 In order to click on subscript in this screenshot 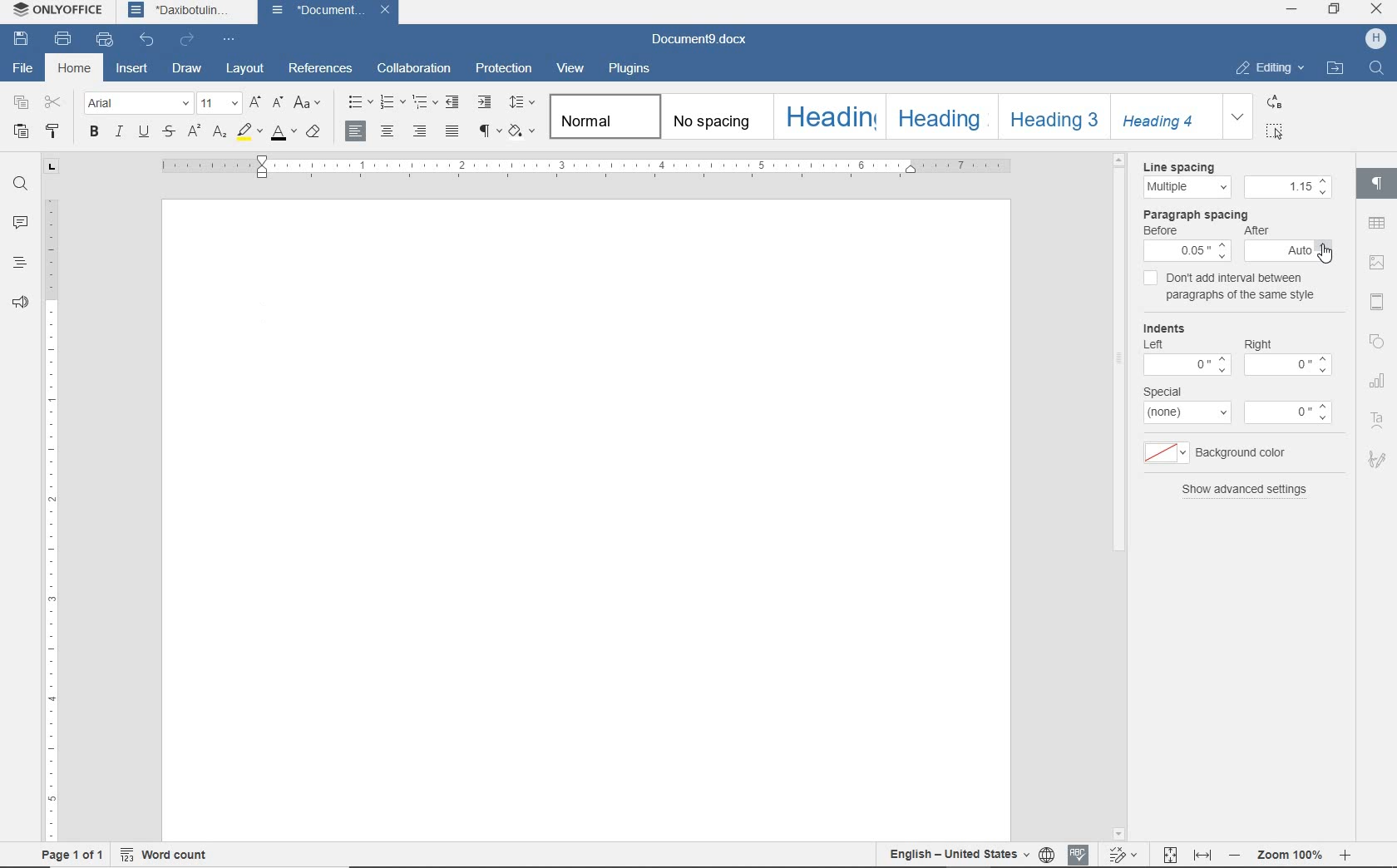, I will do `click(220, 134)`.